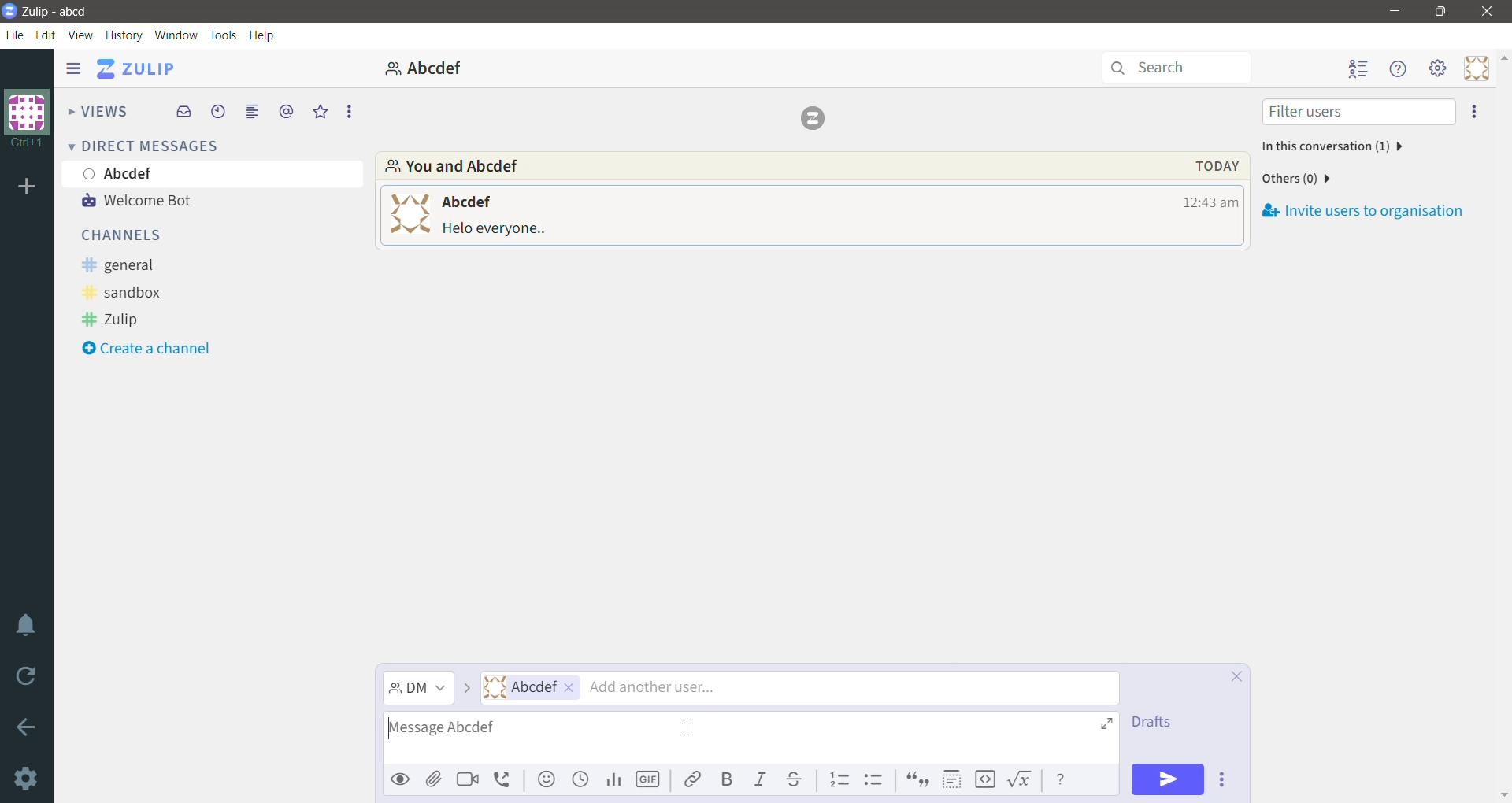 The image size is (1512, 803). Describe the element at coordinates (580, 780) in the screenshot. I see `Add global time` at that location.